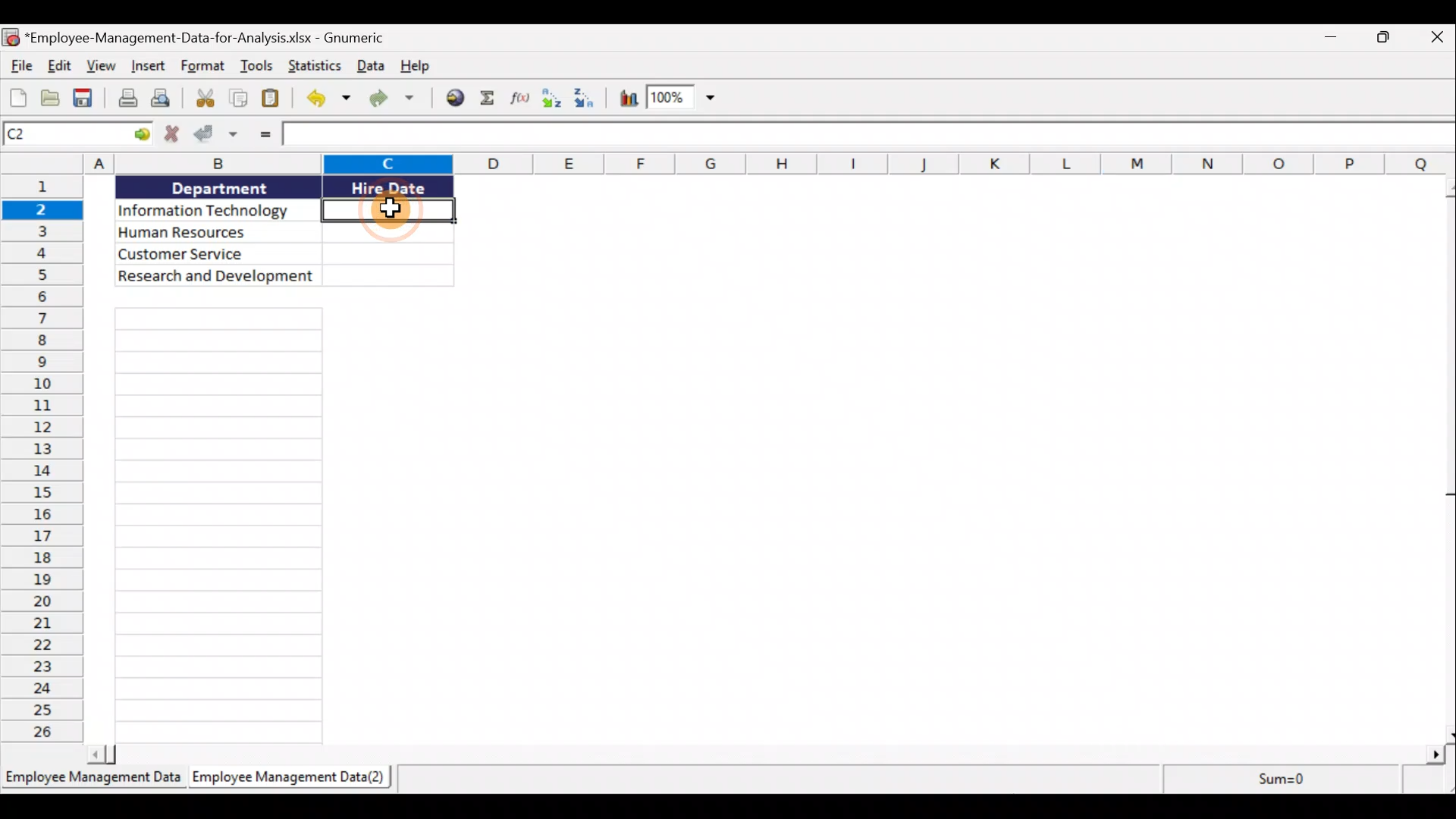 The width and height of the screenshot is (1456, 819). What do you see at coordinates (260, 66) in the screenshot?
I see `Tools` at bounding box center [260, 66].